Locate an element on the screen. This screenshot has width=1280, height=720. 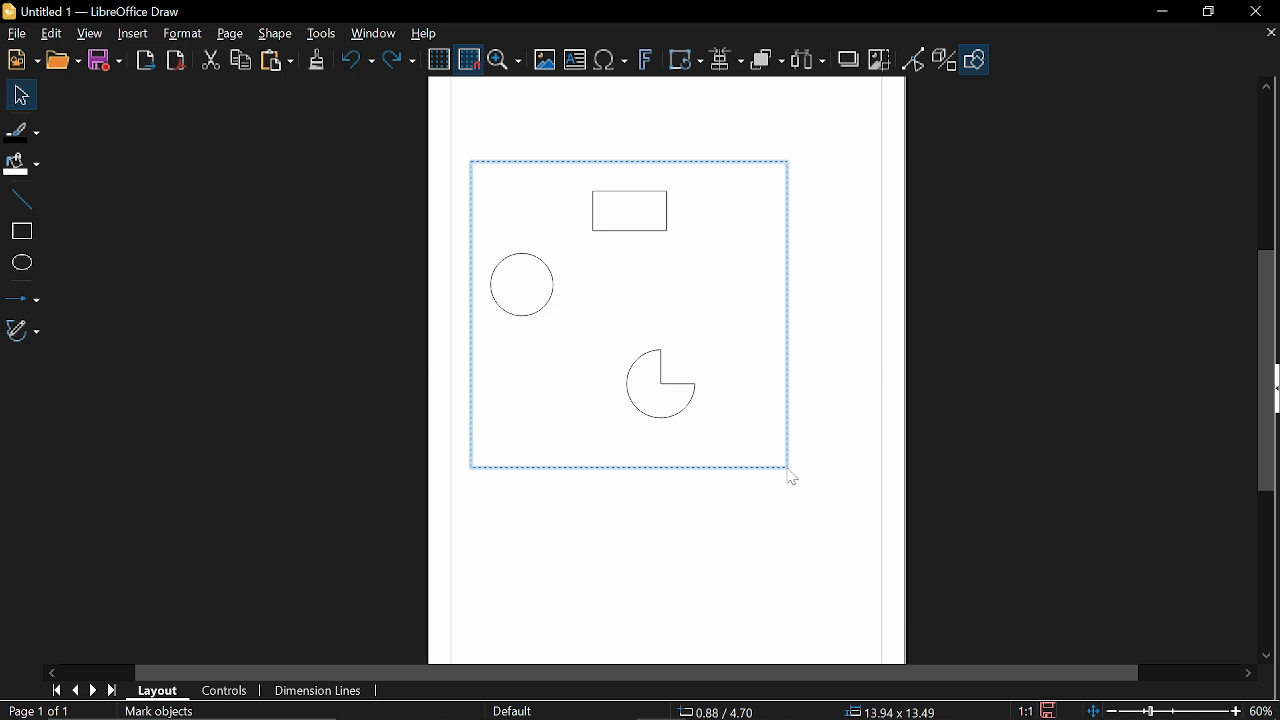
Toggle point of view is located at coordinates (913, 59).